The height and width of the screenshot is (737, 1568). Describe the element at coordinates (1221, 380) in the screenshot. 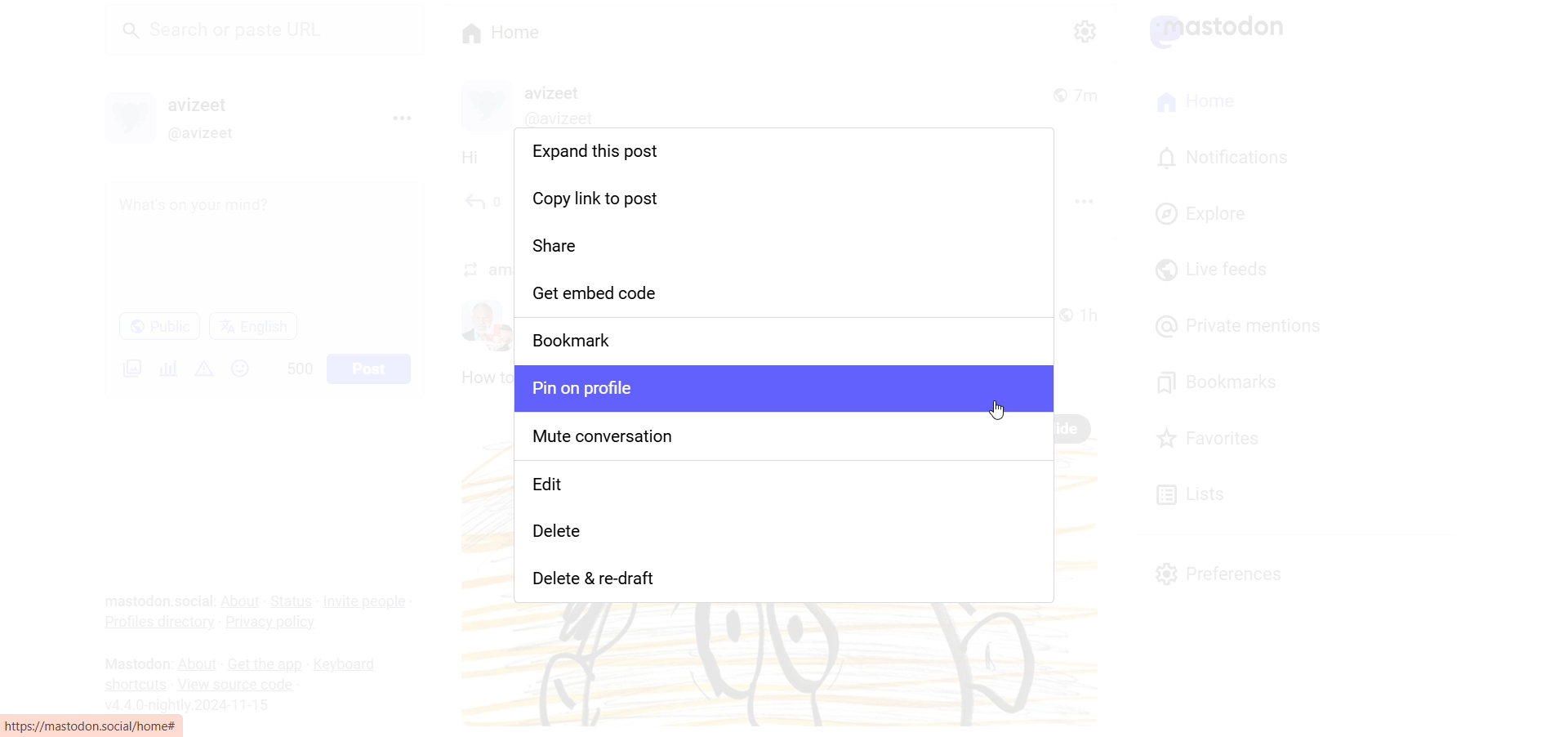

I see `Bookmarks` at that location.